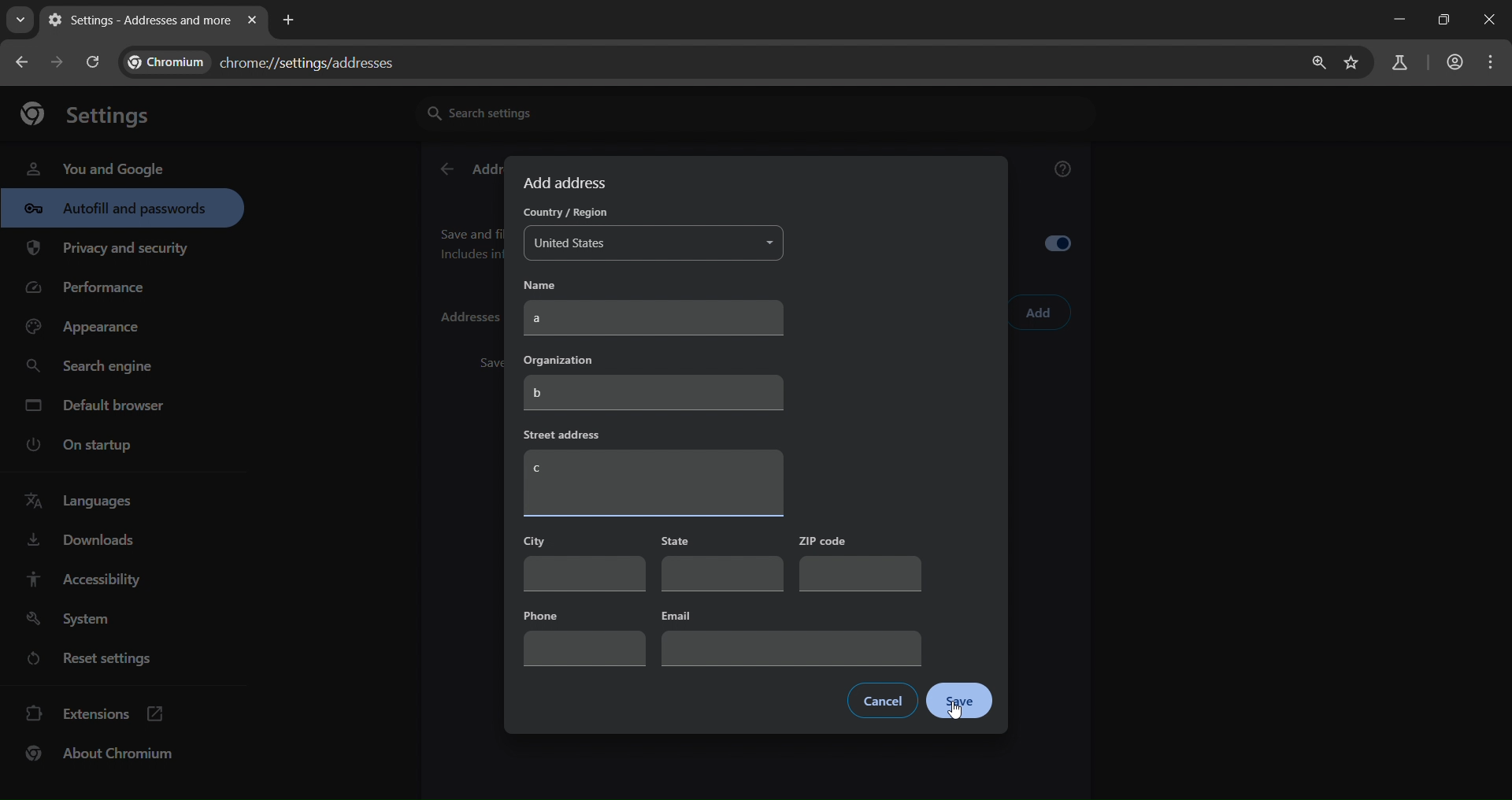  Describe the element at coordinates (88, 328) in the screenshot. I see `appearance` at that location.